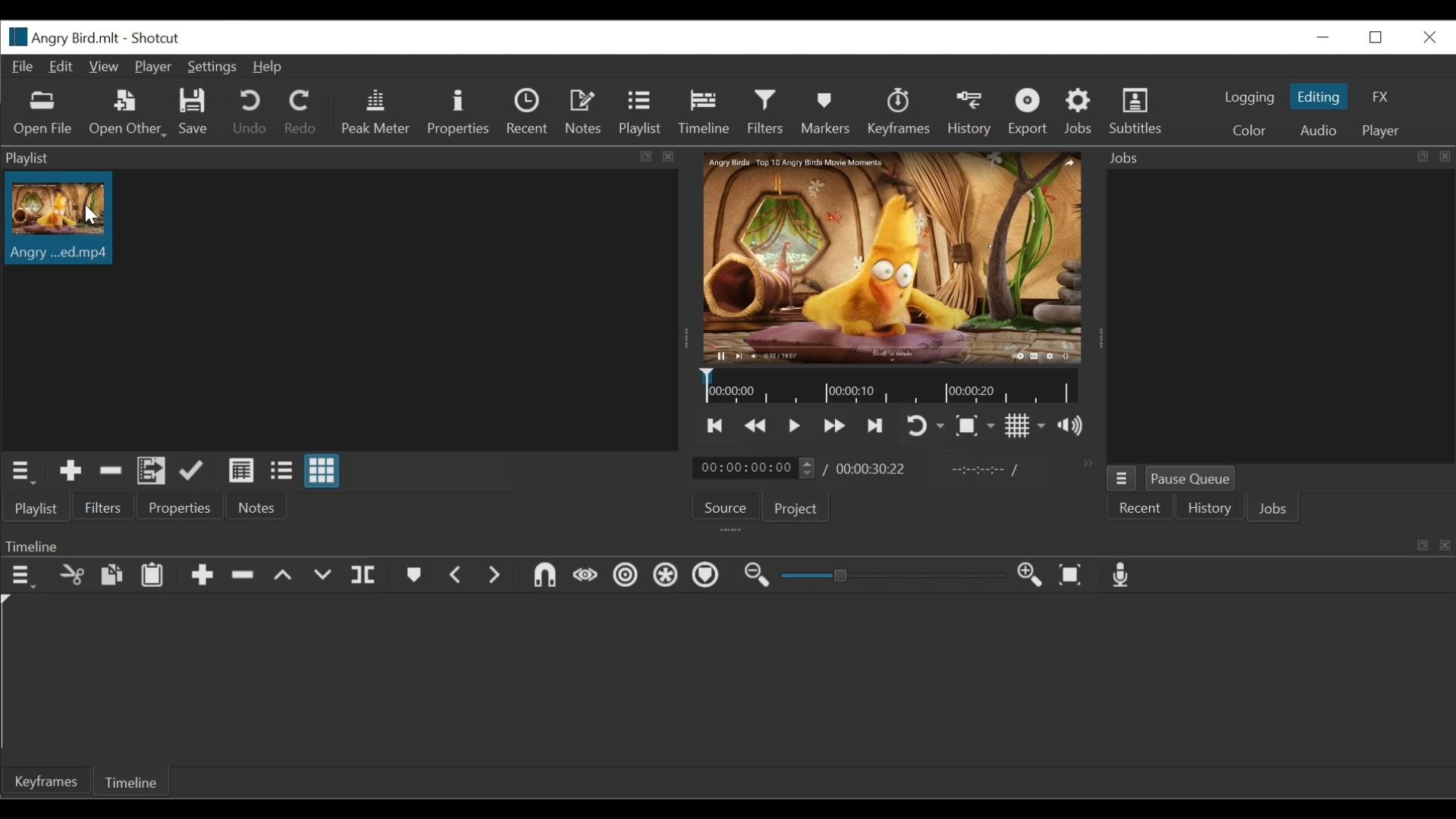  I want to click on Undo, so click(249, 112).